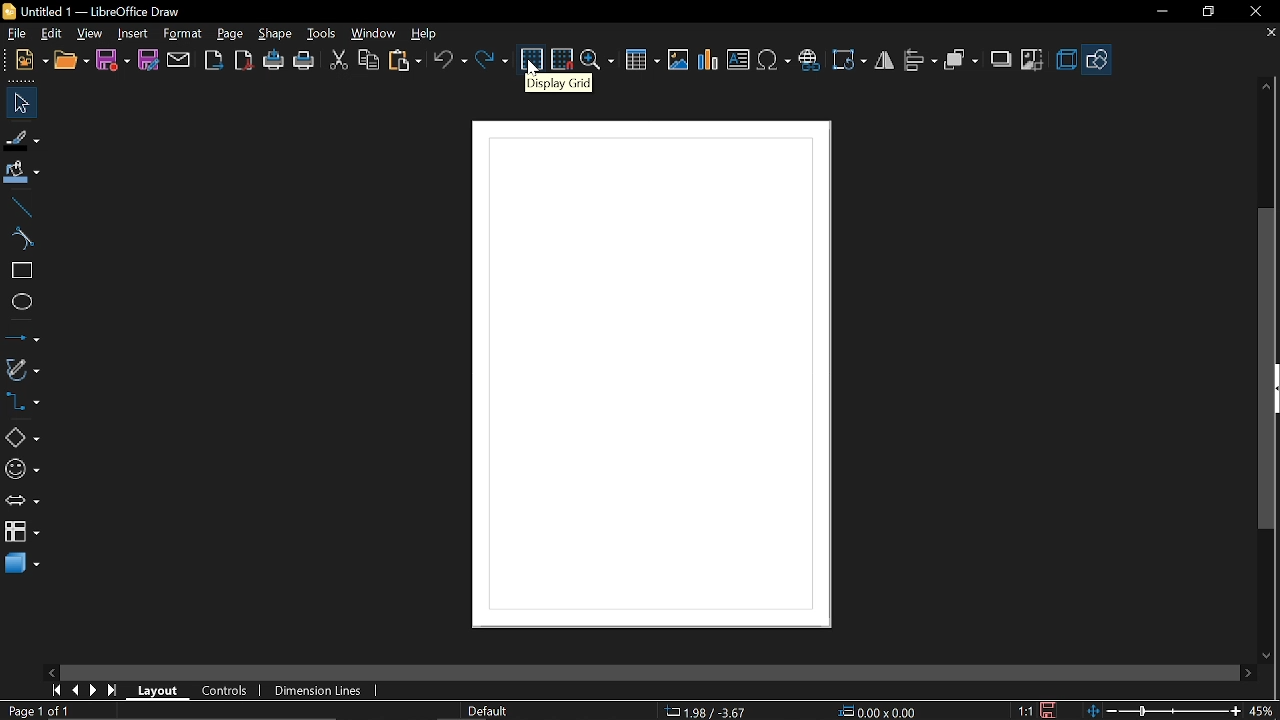 This screenshot has height=720, width=1280. What do you see at coordinates (22, 370) in the screenshot?
I see `curves and polygon` at bounding box center [22, 370].